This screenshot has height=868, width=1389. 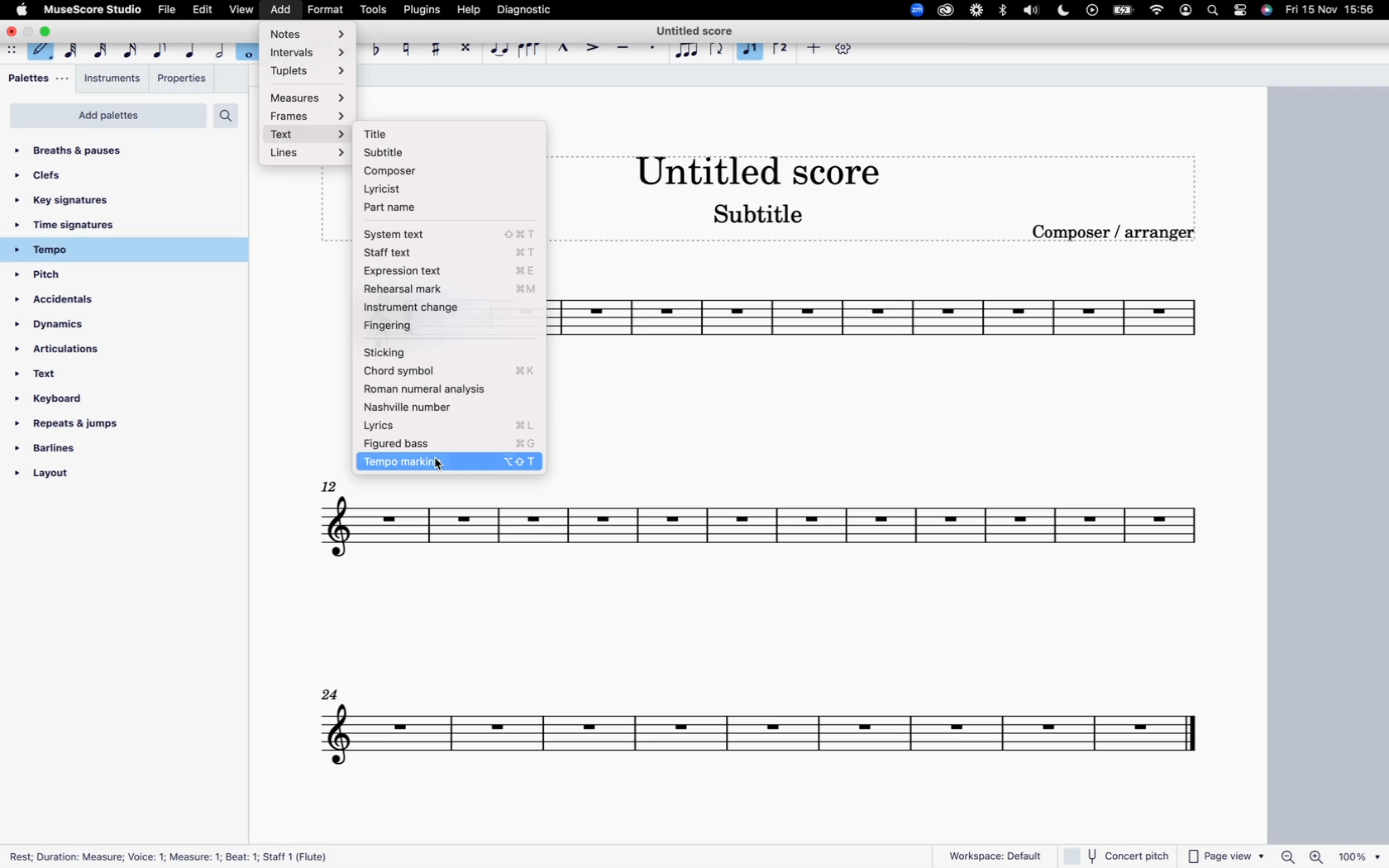 I want to click on score title, so click(x=761, y=169).